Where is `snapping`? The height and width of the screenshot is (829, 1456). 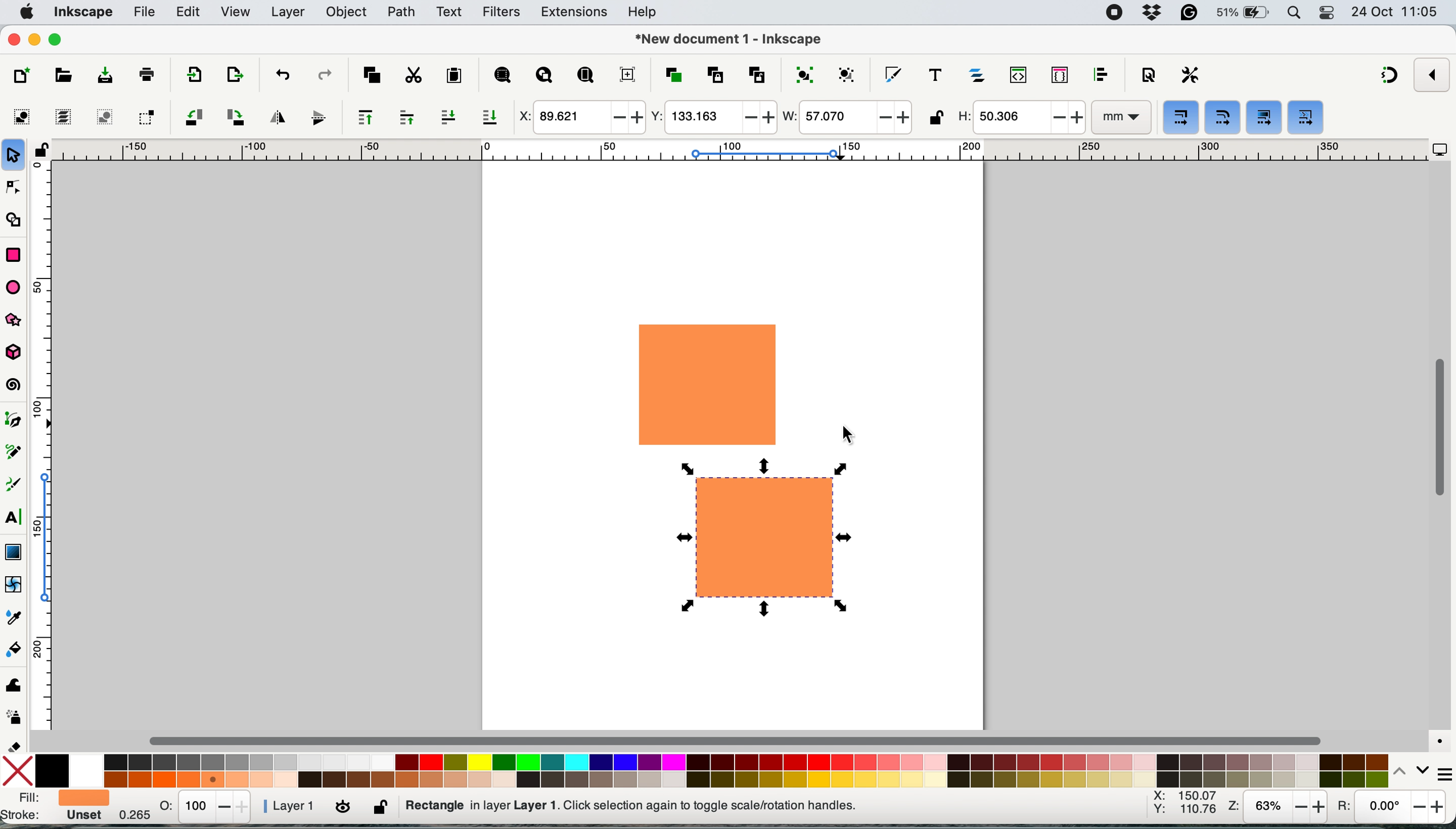 snapping is located at coordinates (1391, 76).